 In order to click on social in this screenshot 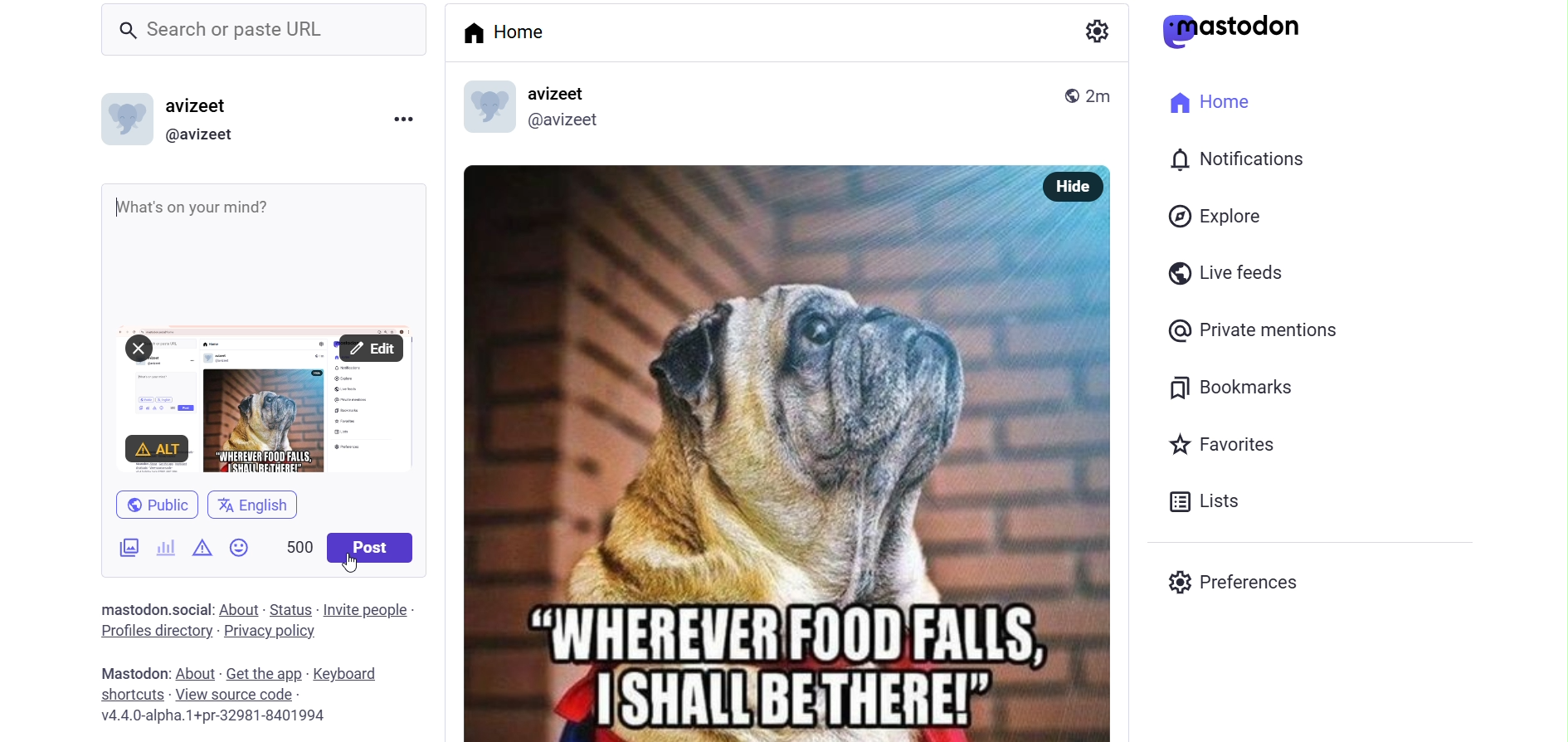, I will do `click(193, 609)`.